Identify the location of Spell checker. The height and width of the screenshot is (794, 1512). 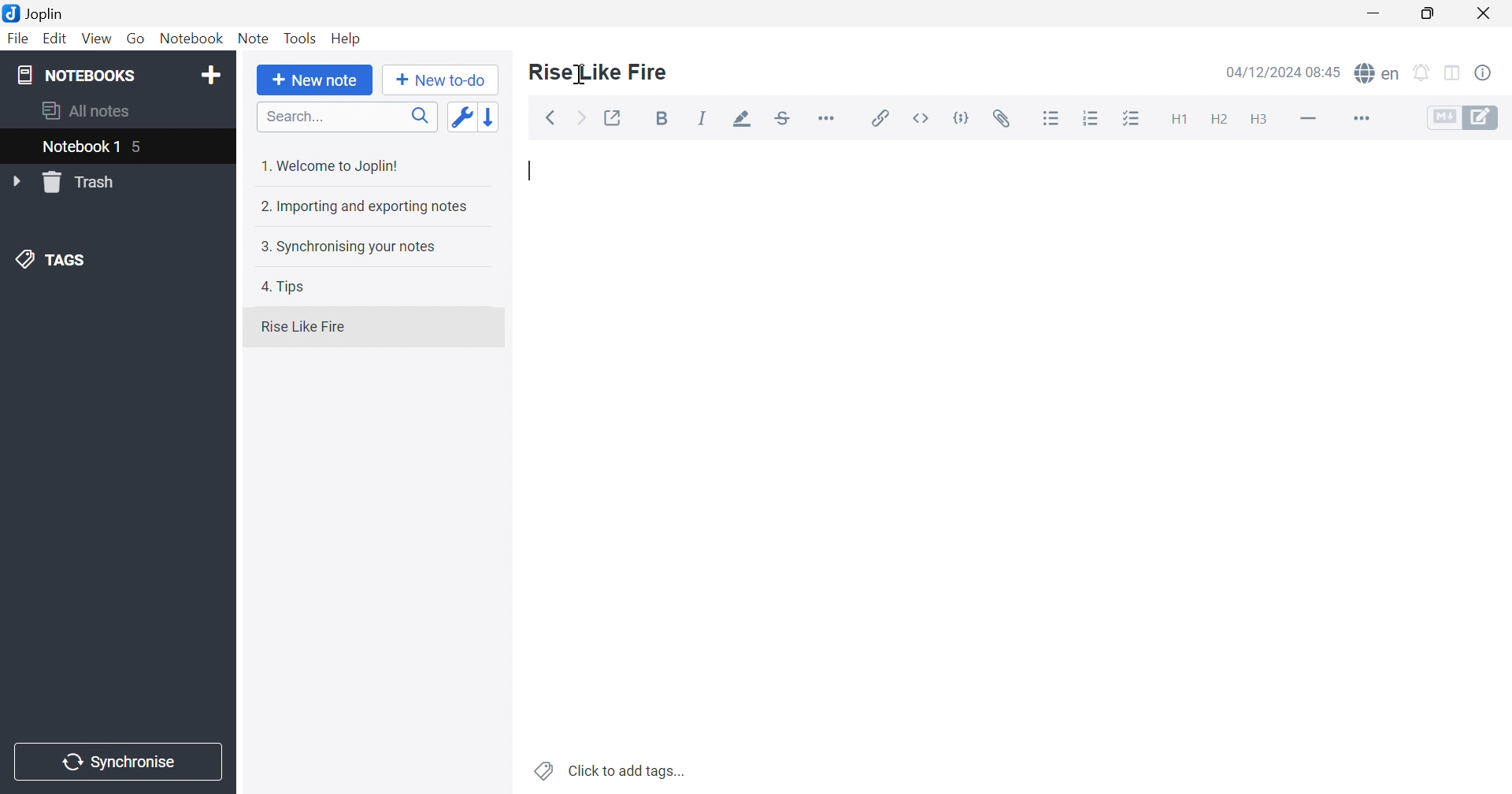
(1380, 72).